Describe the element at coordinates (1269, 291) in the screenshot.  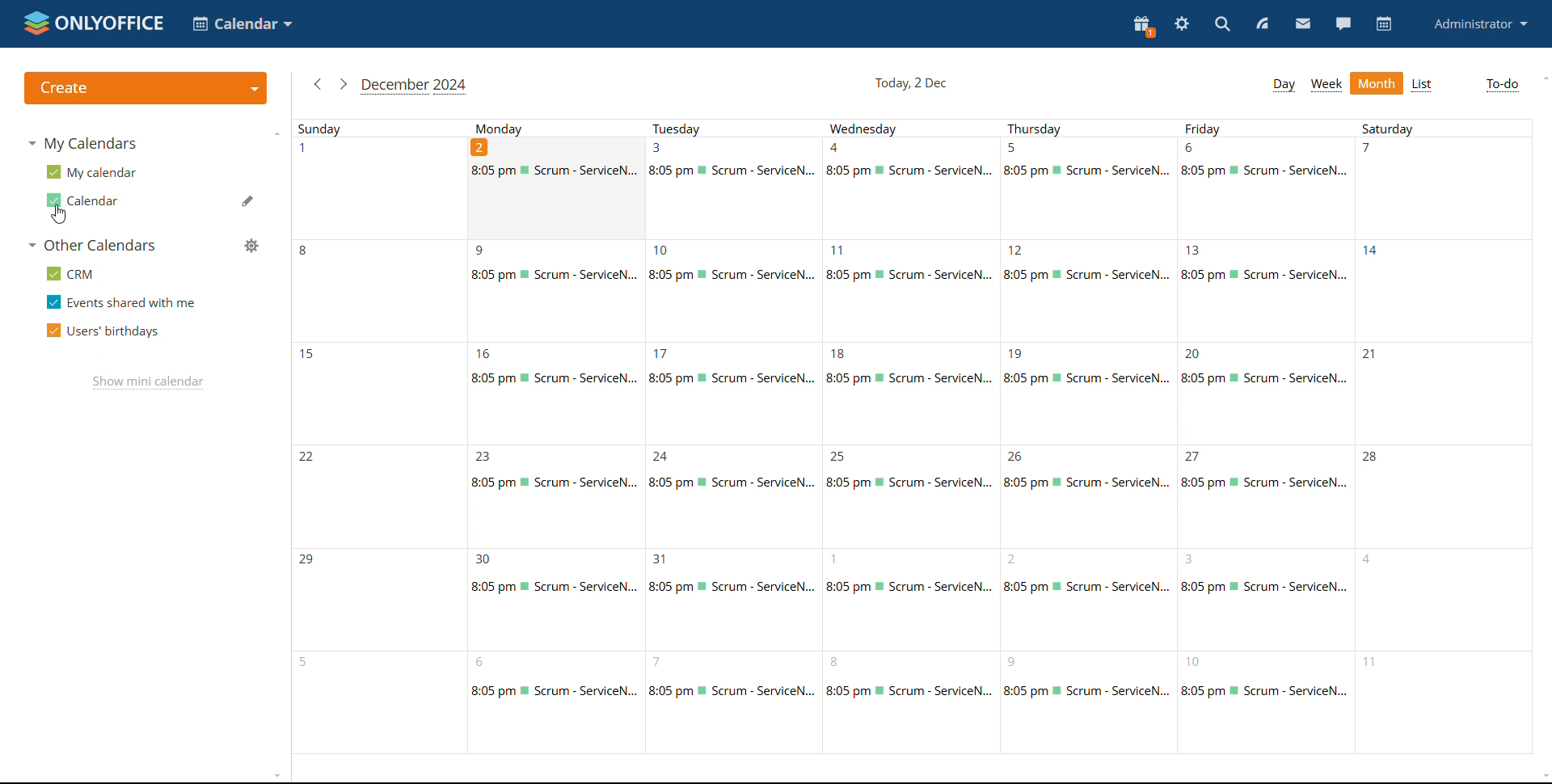
I see `13` at that location.